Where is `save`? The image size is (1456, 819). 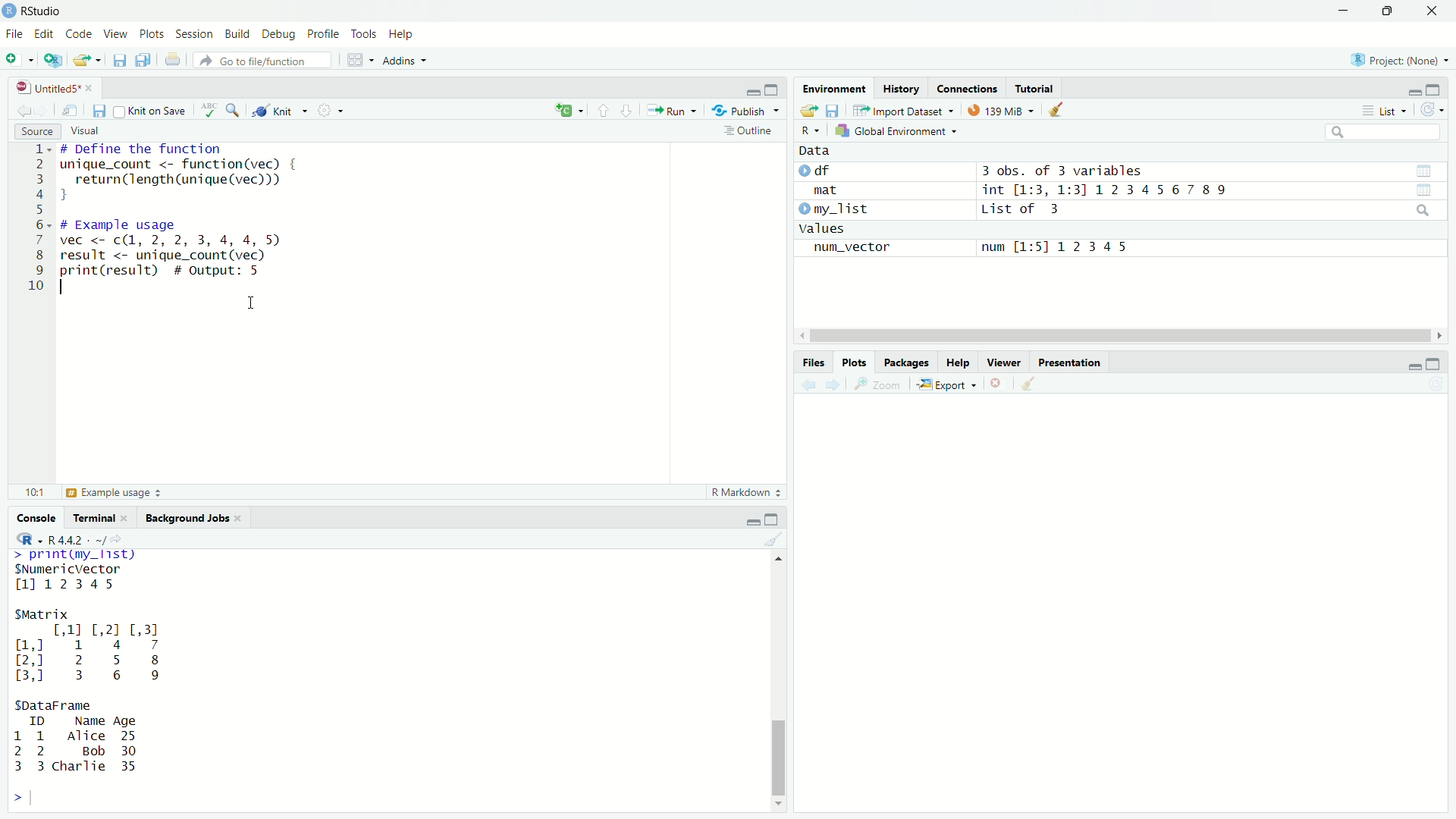 save is located at coordinates (99, 111).